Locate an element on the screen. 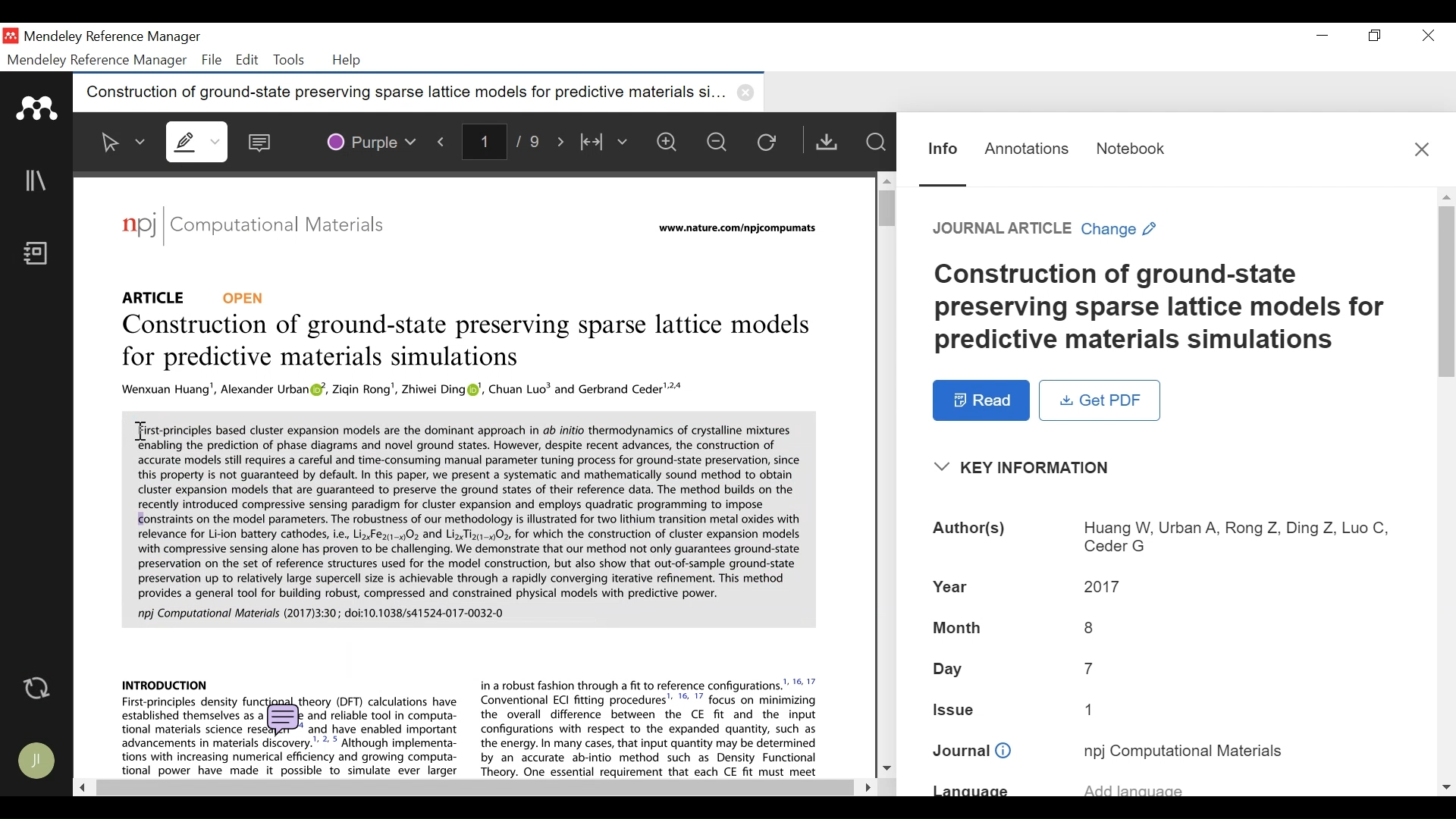 The height and width of the screenshot is (819, 1456). Insertion Cursor is located at coordinates (138, 429).